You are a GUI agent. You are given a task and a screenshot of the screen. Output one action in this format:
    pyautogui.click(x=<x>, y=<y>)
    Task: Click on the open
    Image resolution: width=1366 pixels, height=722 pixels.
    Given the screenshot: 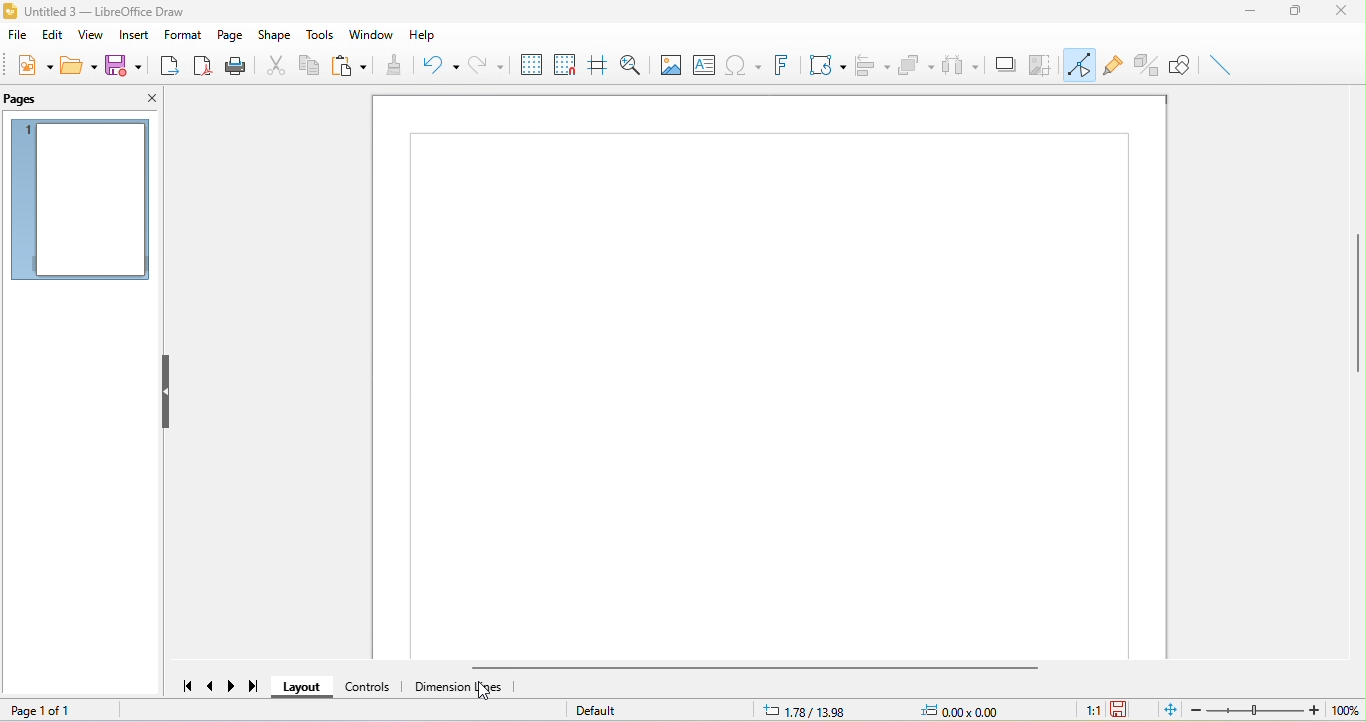 What is the action you would take?
    pyautogui.click(x=80, y=67)
    